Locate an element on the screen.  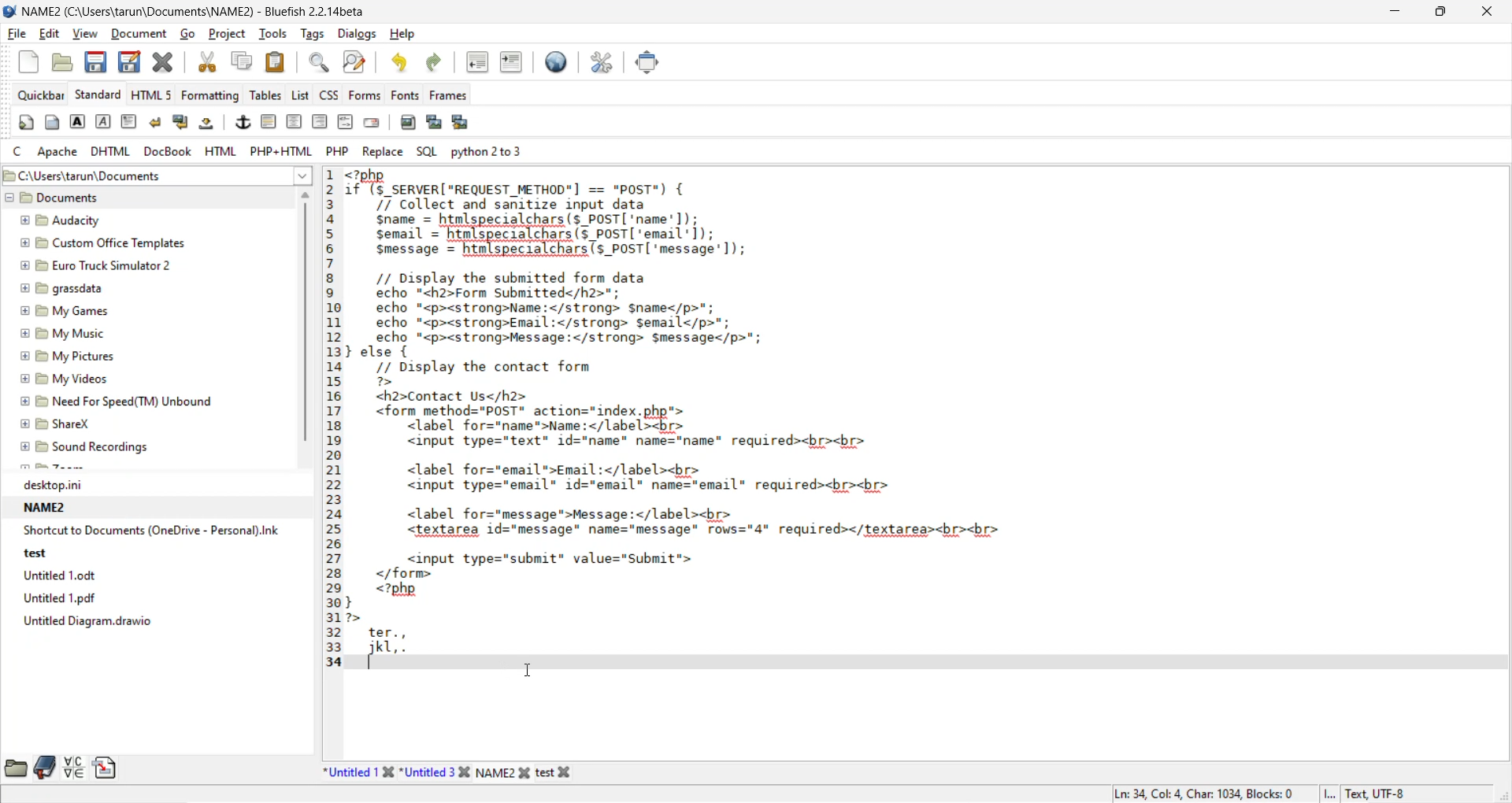
vertical scroll bar is located at coordinates (309, 323).